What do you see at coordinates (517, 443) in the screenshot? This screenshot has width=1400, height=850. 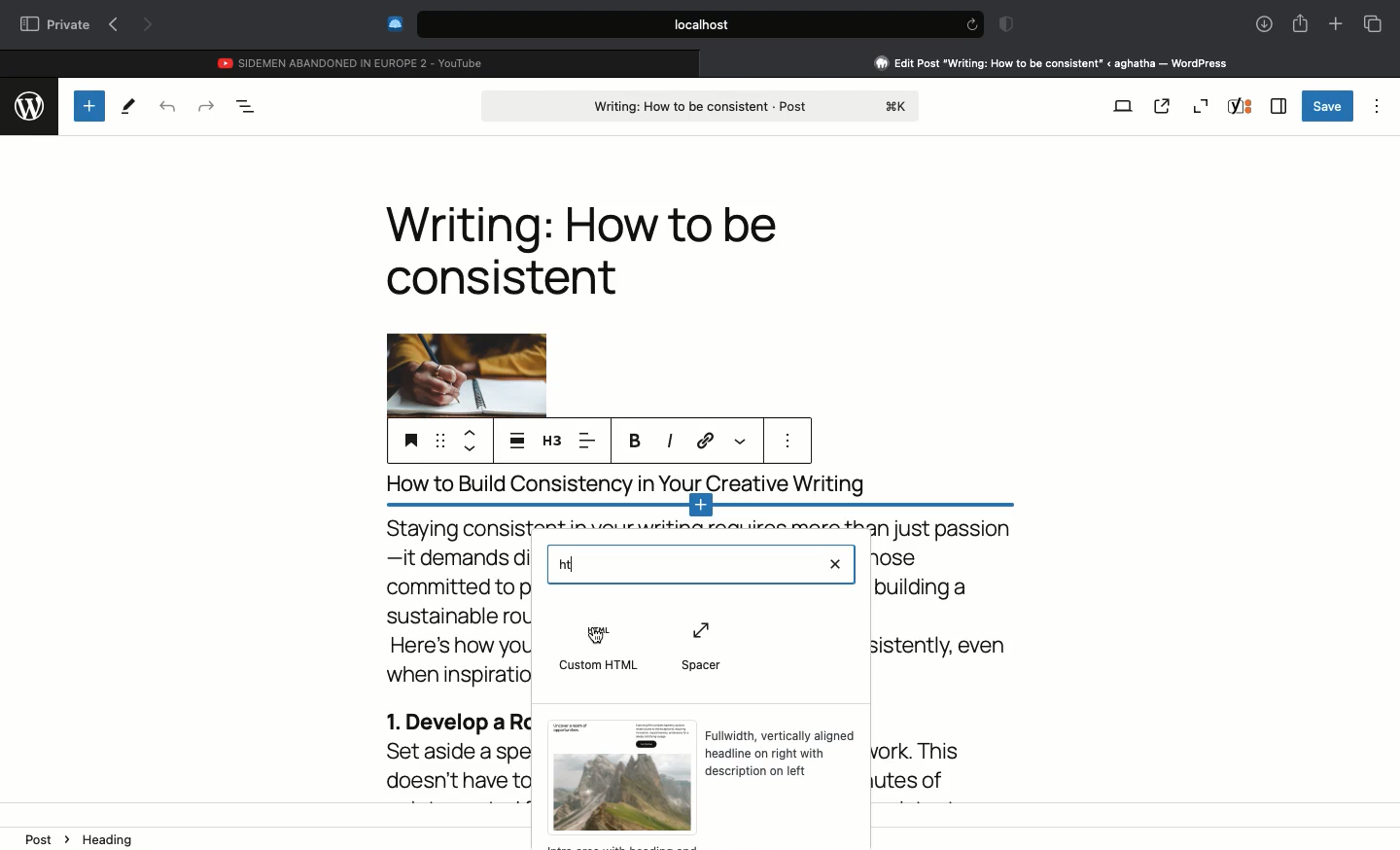 I see `Align` at bounding box center [517, 443].